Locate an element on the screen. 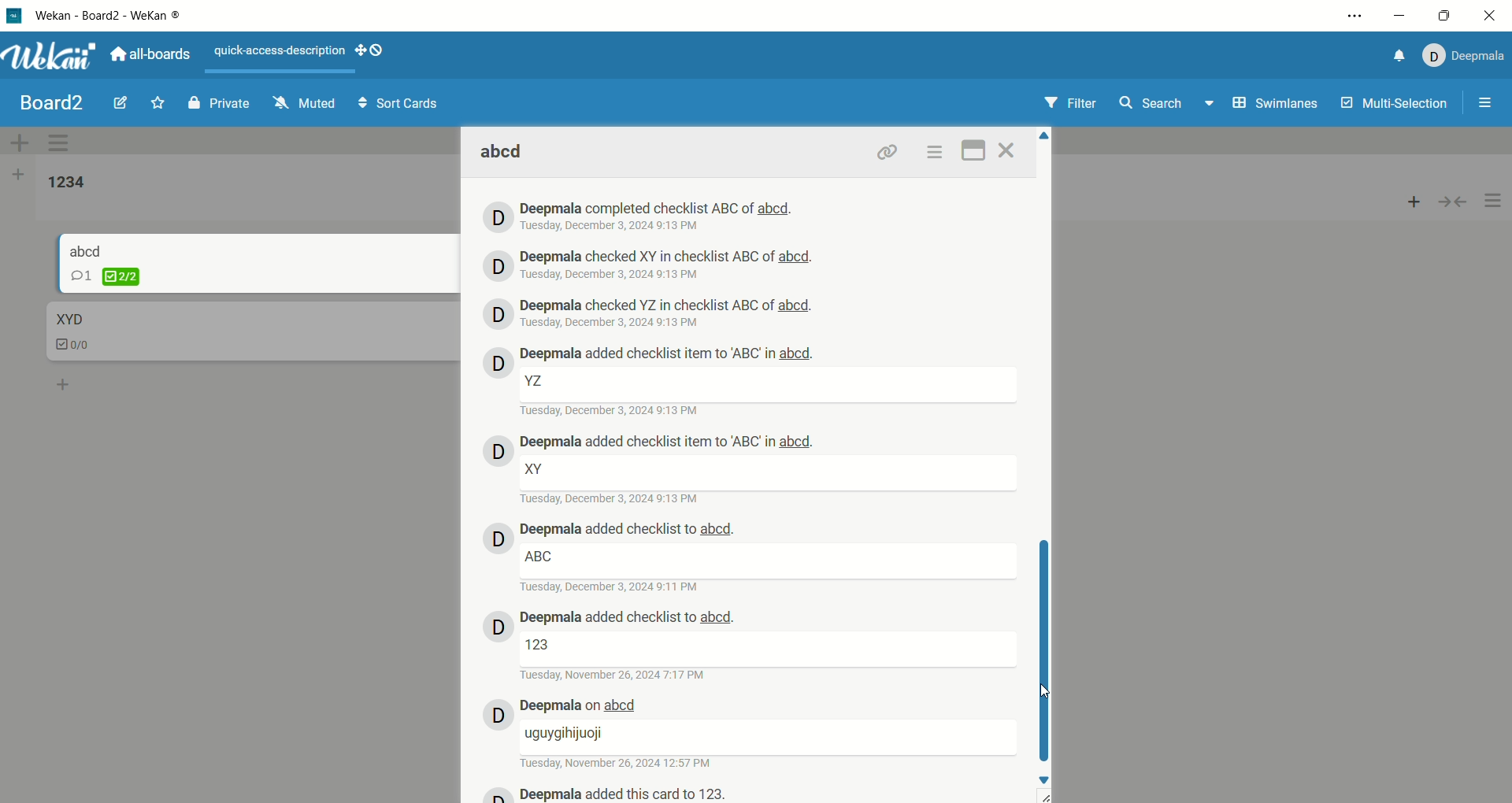  swimlane actions is located at coordinates (62, 144).